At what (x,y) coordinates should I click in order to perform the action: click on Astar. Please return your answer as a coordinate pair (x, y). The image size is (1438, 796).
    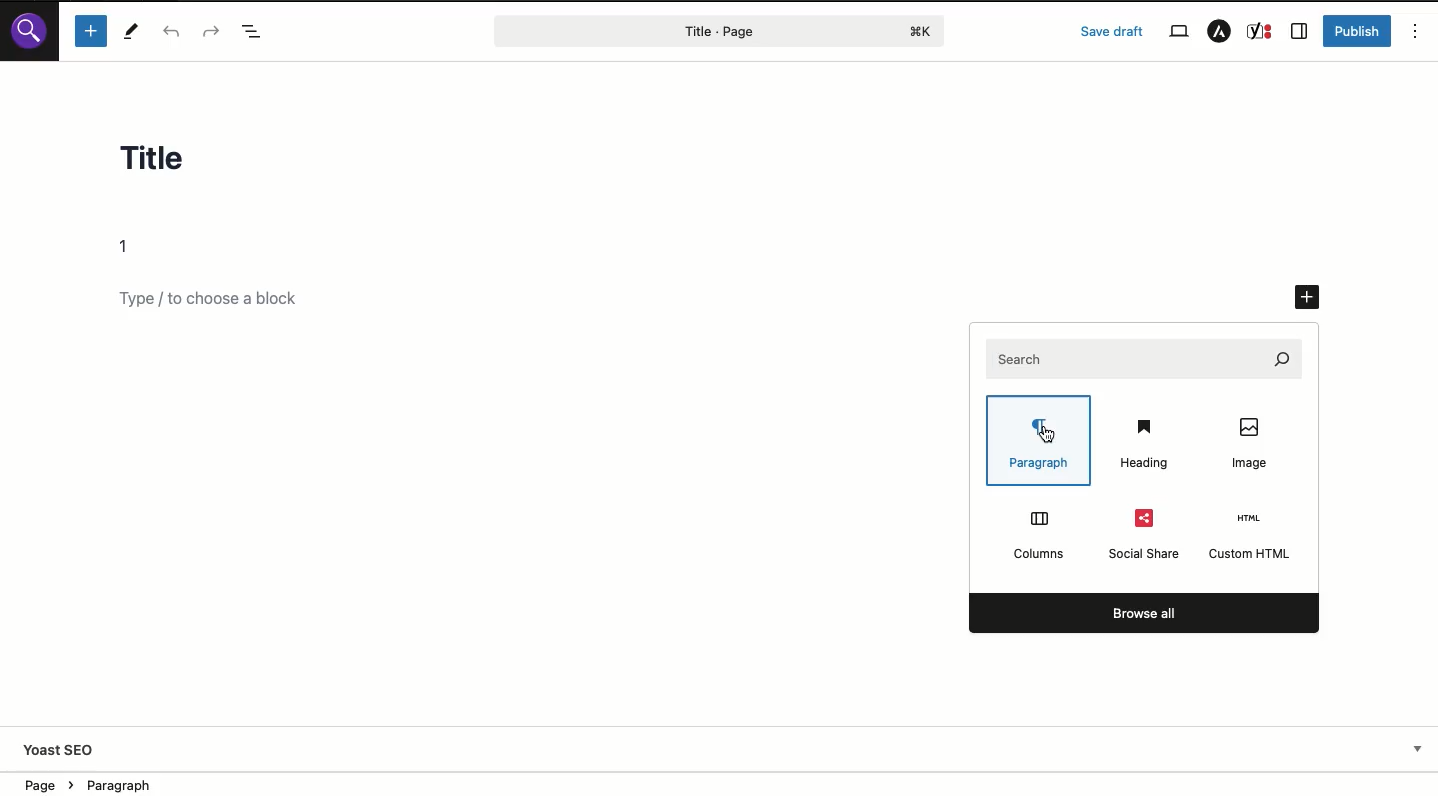
    Looking at the image, I should click on (1219, 32).